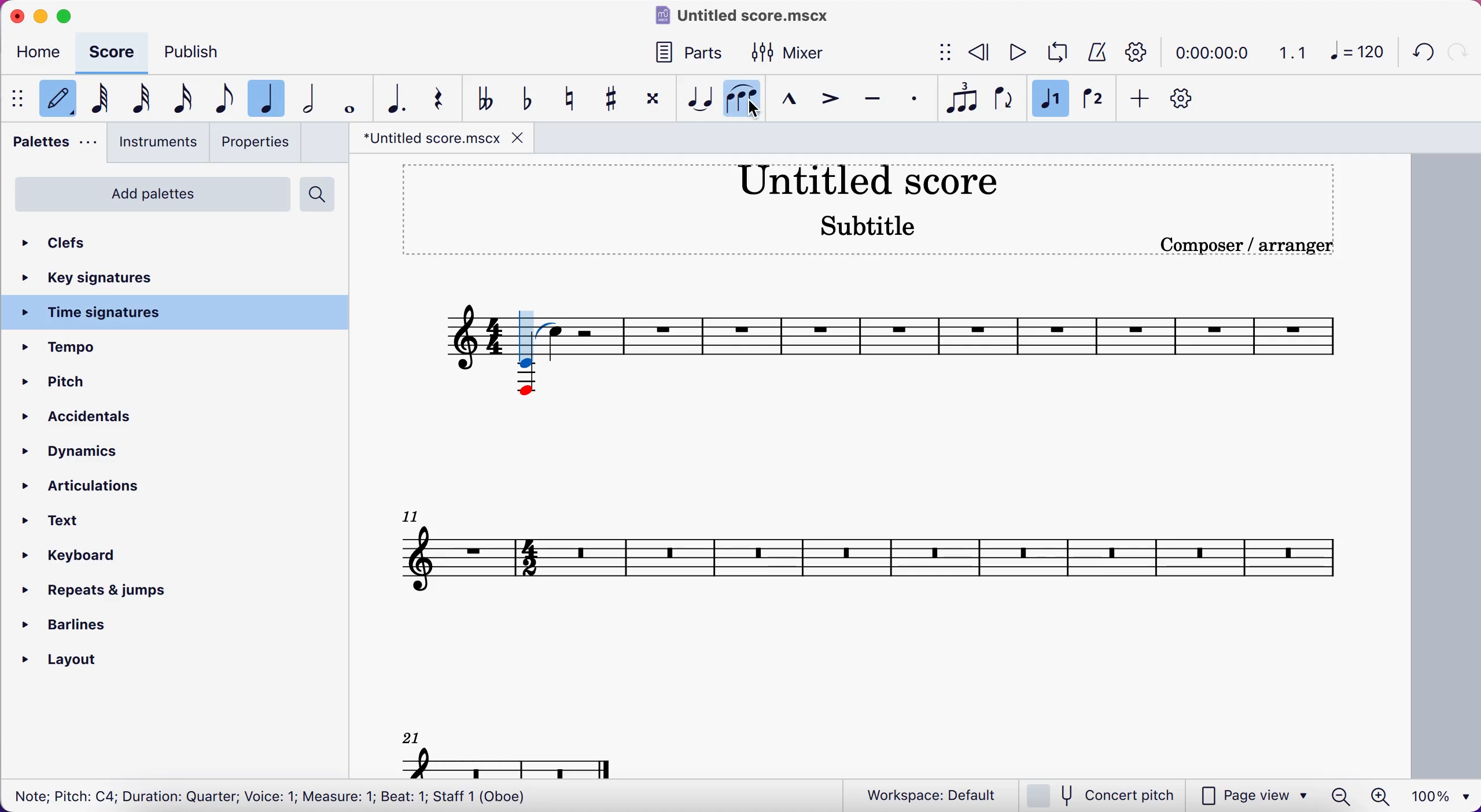  What do you see at coordinates (1012, 54) in the screenshot?
I see `play` at bounding box center [1012, 54].